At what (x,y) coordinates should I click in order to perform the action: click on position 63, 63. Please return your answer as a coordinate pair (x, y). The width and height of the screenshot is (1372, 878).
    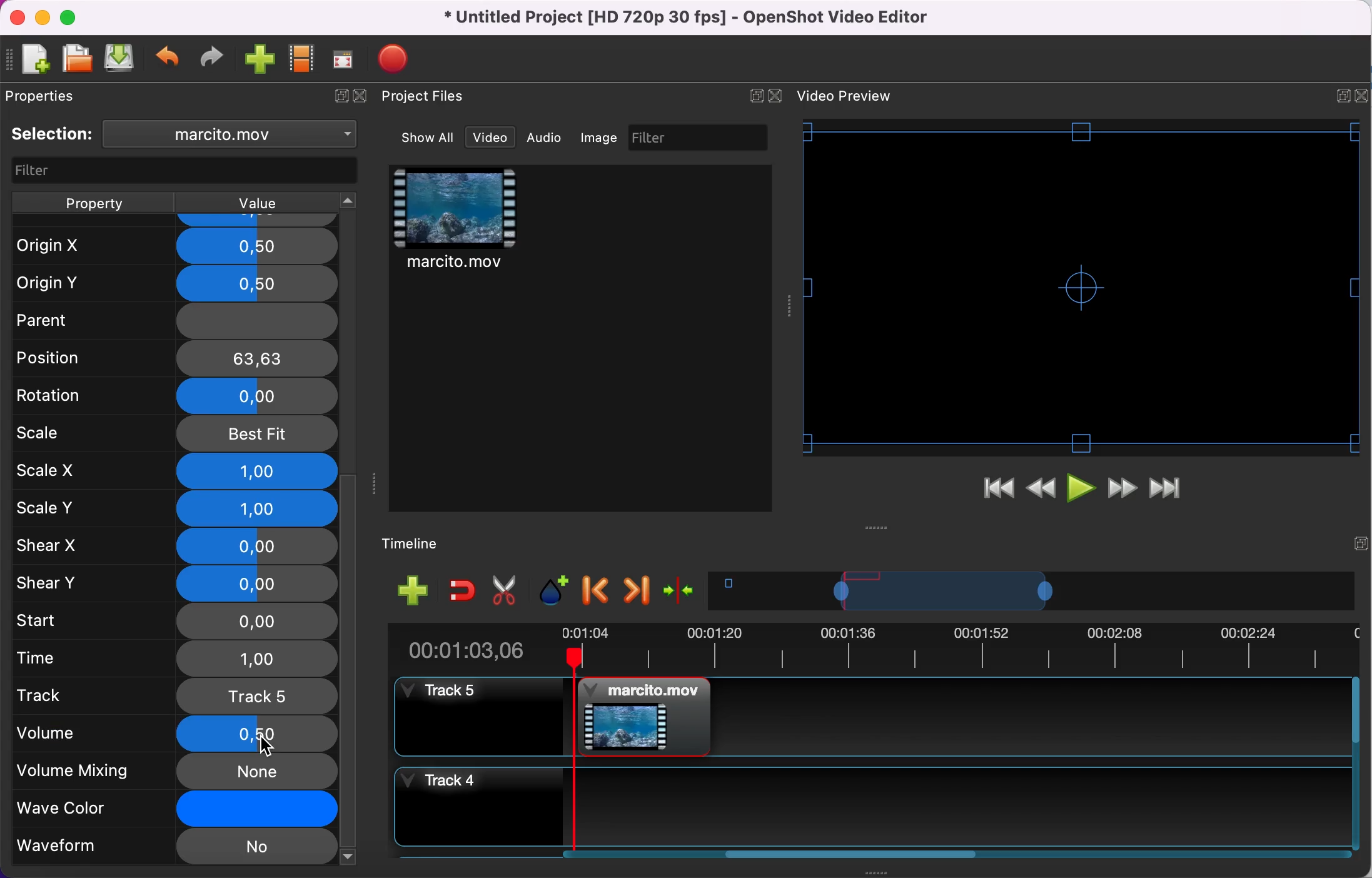
    Looking at the image, I should click on (178, 357).